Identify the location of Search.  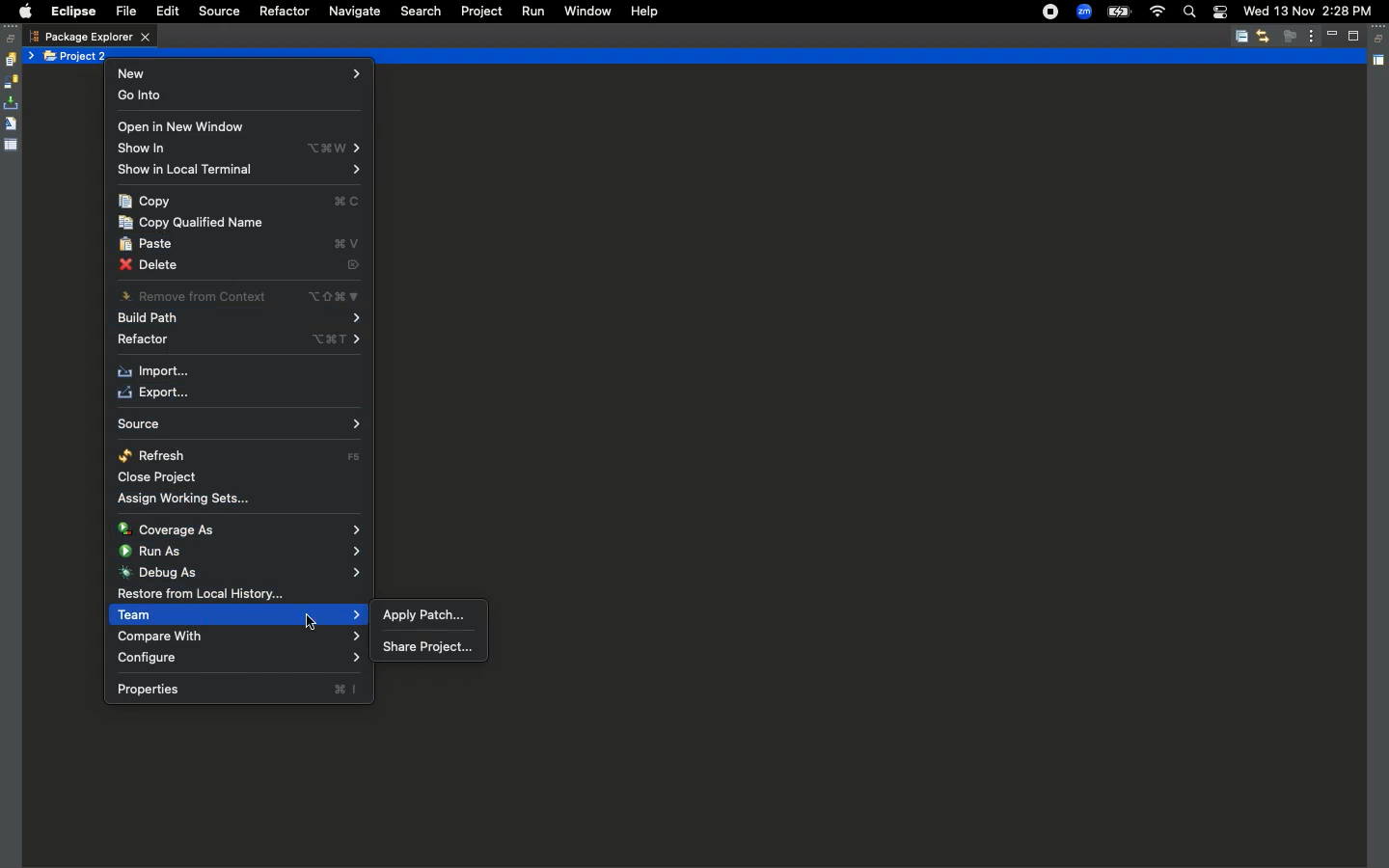
(1188, 14).